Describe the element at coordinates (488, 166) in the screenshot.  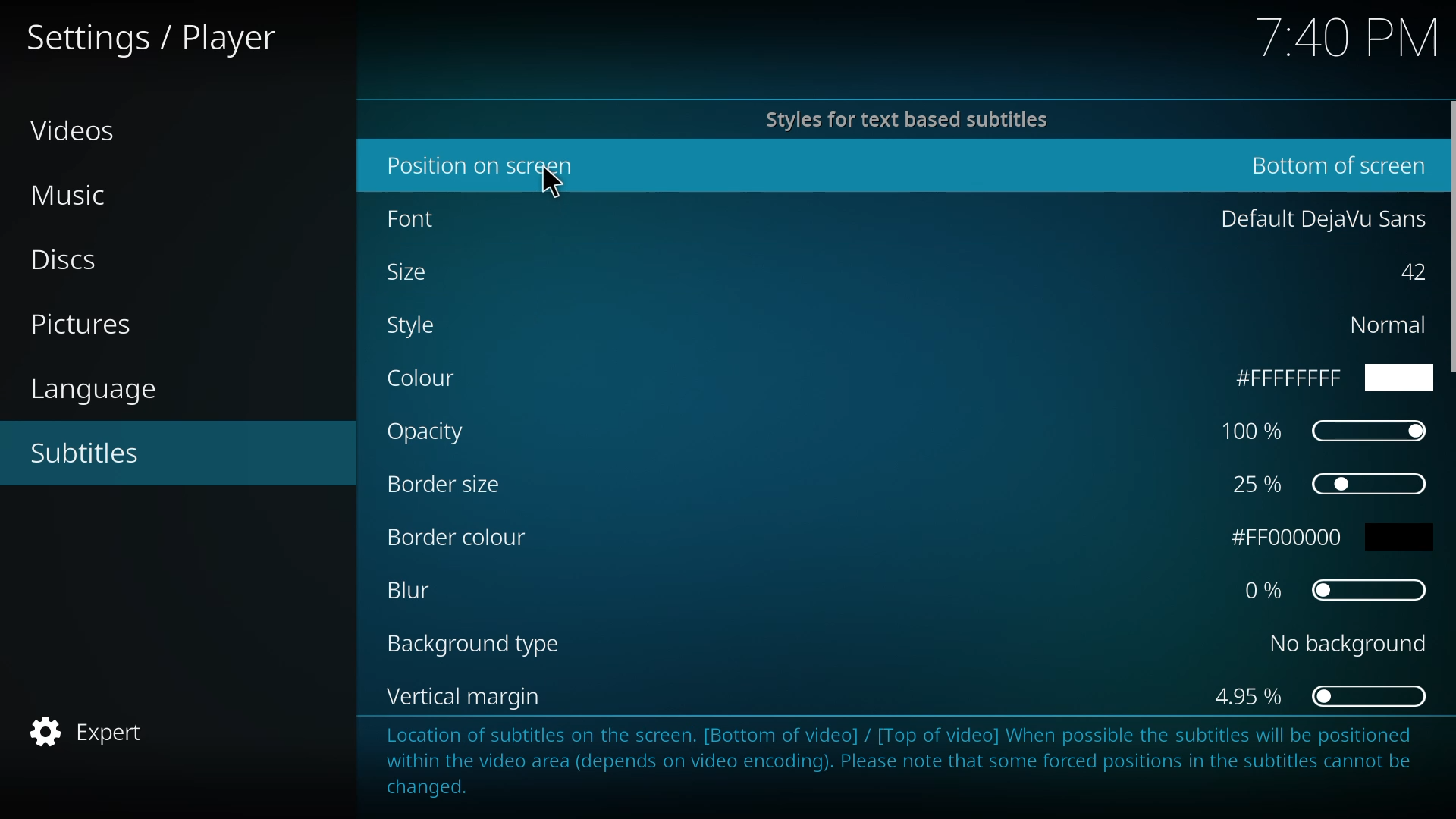
I see `position o screen` at that location.